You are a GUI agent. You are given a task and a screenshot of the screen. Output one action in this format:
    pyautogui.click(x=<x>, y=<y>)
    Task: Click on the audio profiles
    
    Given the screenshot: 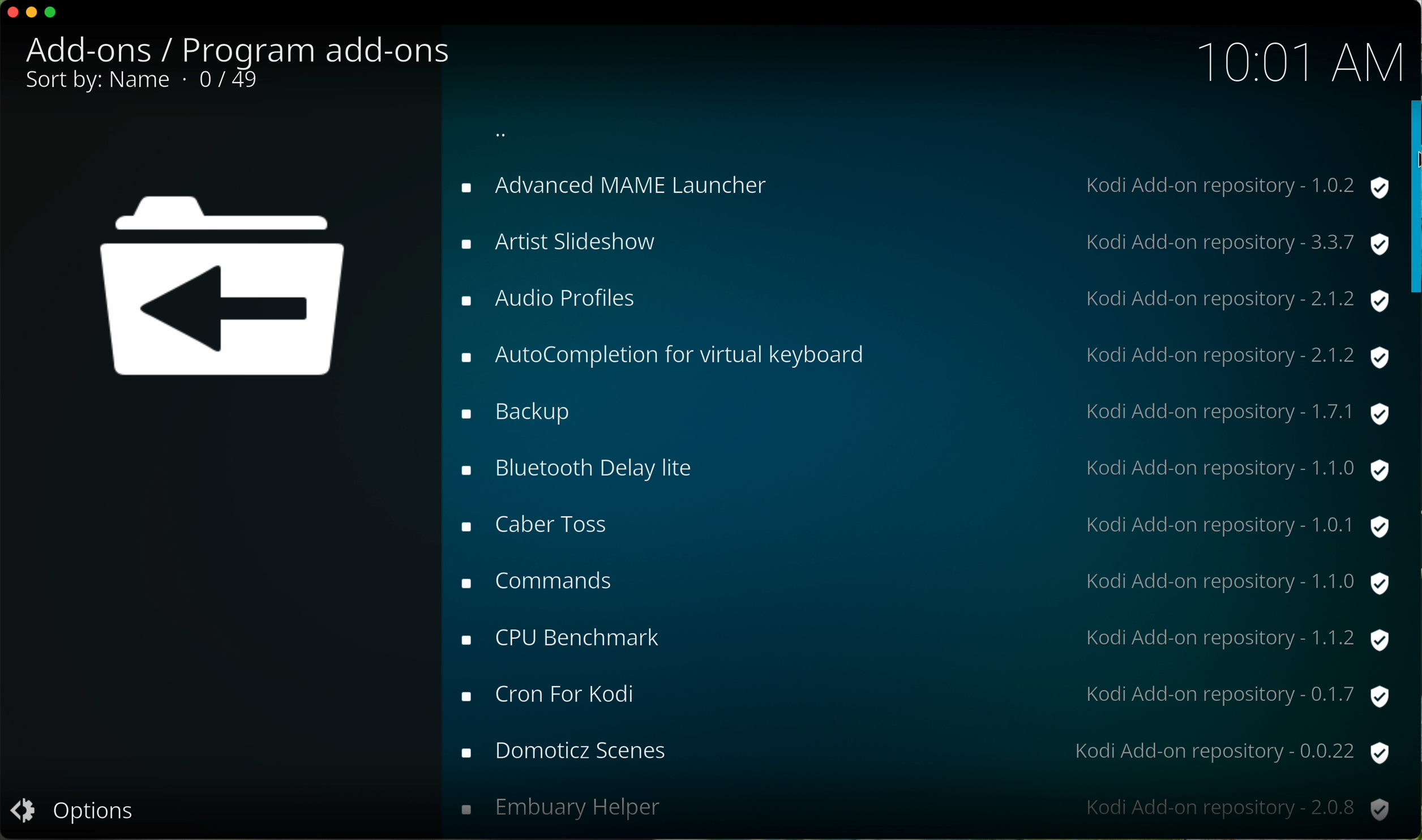 What is the action you would take?
    pyautogui.click(x=920, y=300)
    